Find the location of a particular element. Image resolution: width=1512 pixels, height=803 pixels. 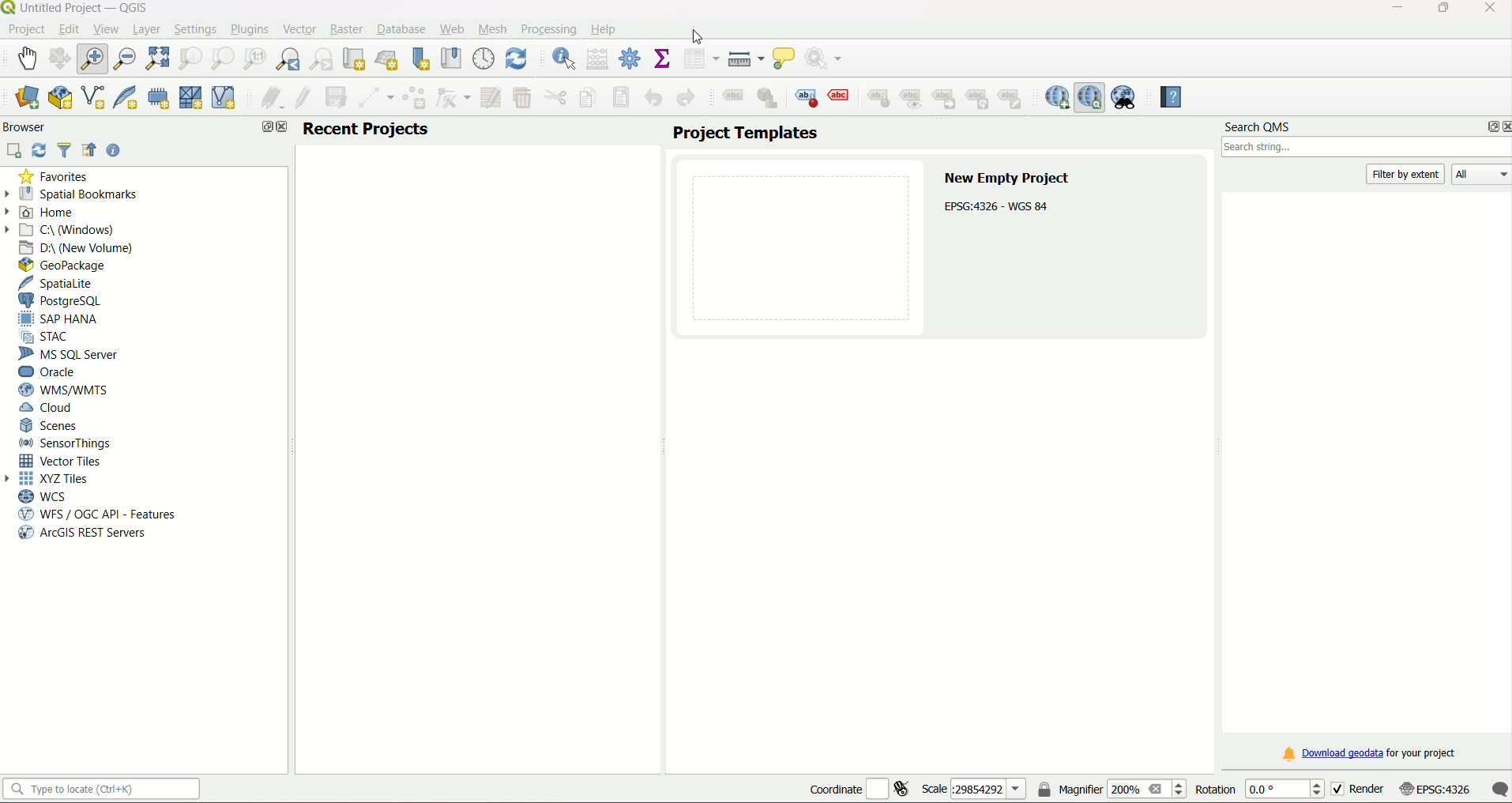

new 3D map view is located at coordinates (389, 58).